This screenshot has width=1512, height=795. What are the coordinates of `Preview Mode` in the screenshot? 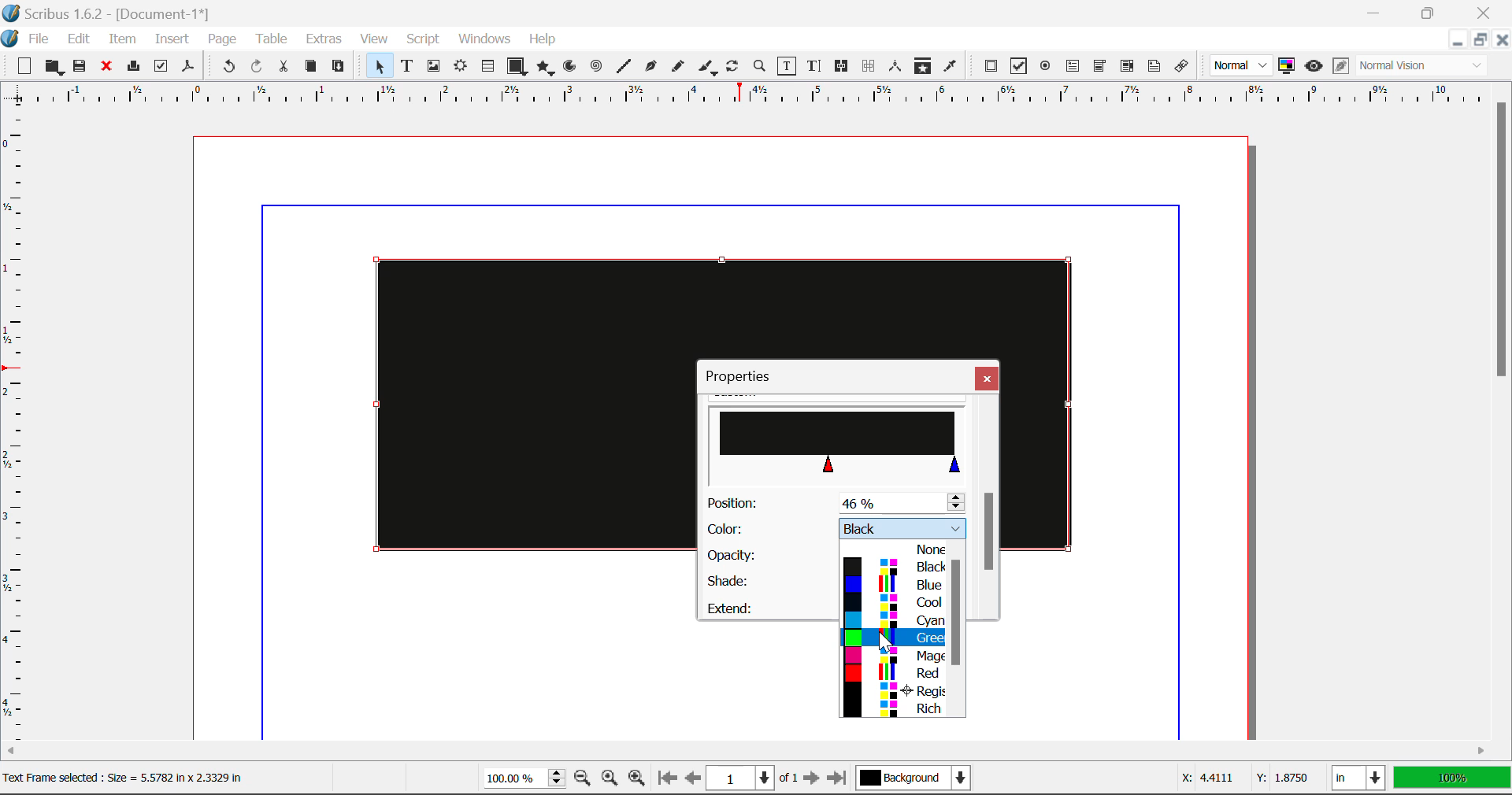 It's located at (1241, 65).